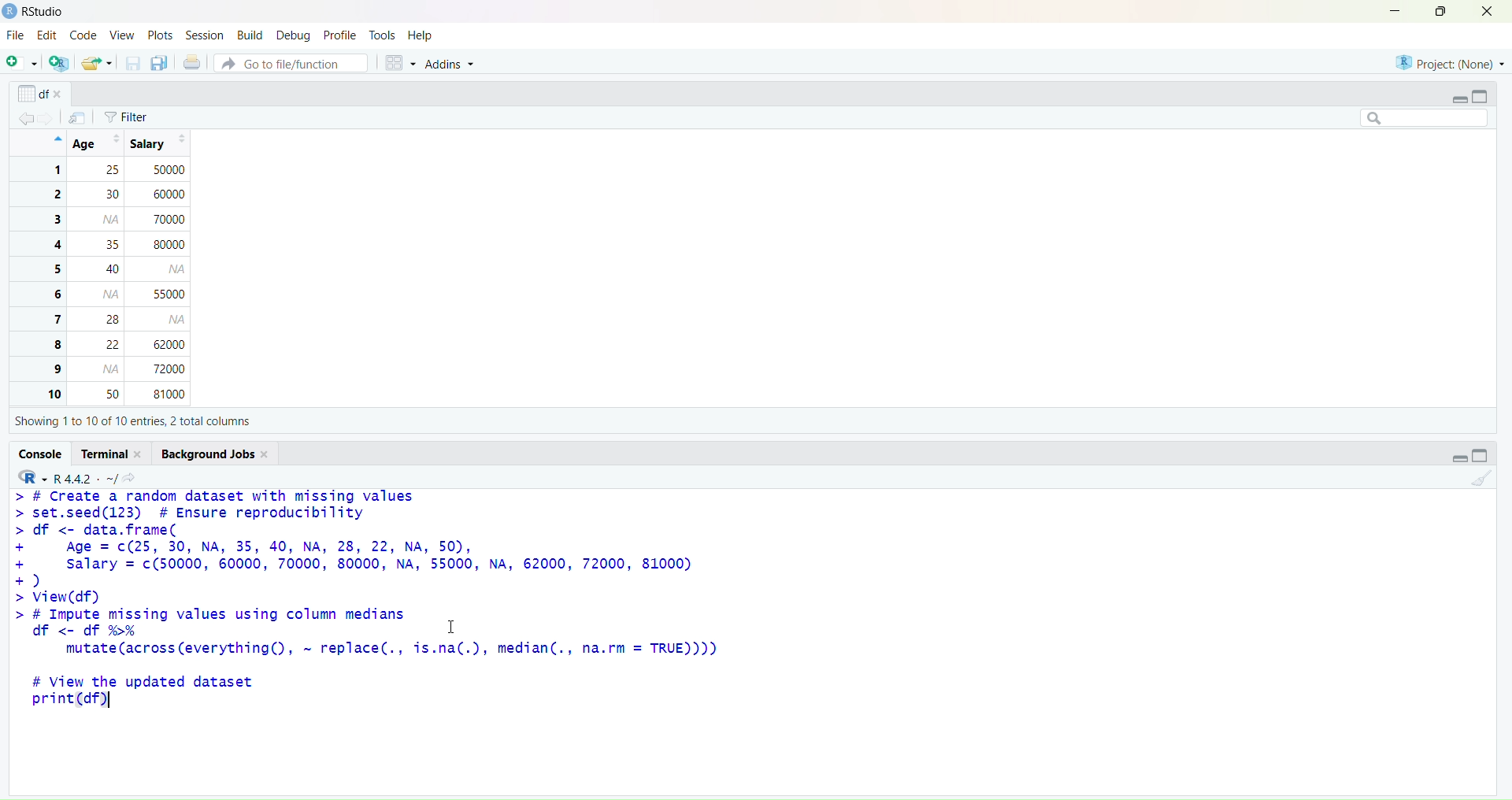 The height and width of the screenshot is (800, 1512). What do you see at coordinates (1454, 457) in the screenshot?
I see `expand` at bounding box center [1454, 457].